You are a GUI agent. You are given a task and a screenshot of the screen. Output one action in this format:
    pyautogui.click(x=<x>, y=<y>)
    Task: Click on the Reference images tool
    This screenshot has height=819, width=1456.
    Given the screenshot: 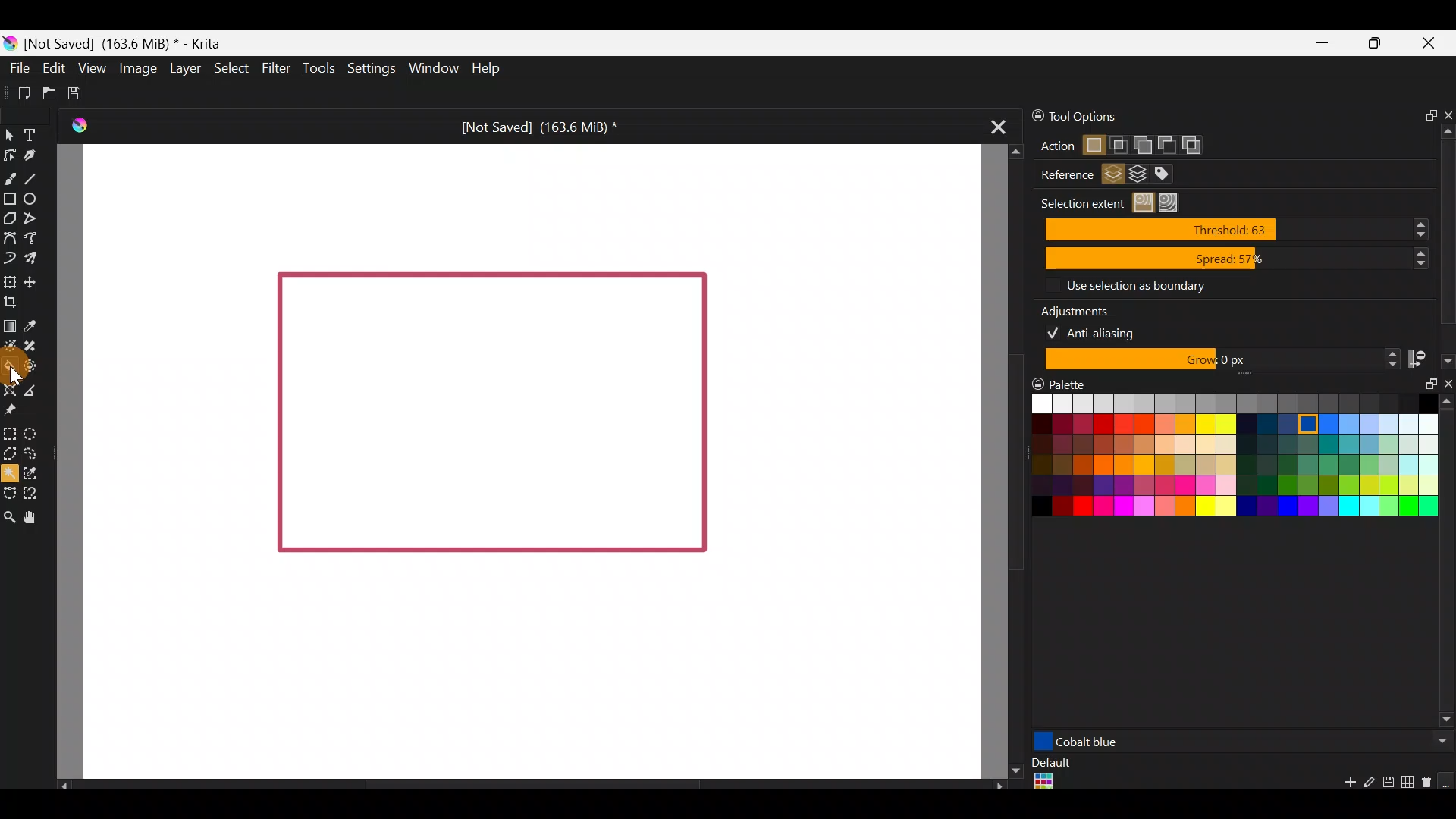 What is the action you would take?
    pyautogui.click(x=17, y=412)
    